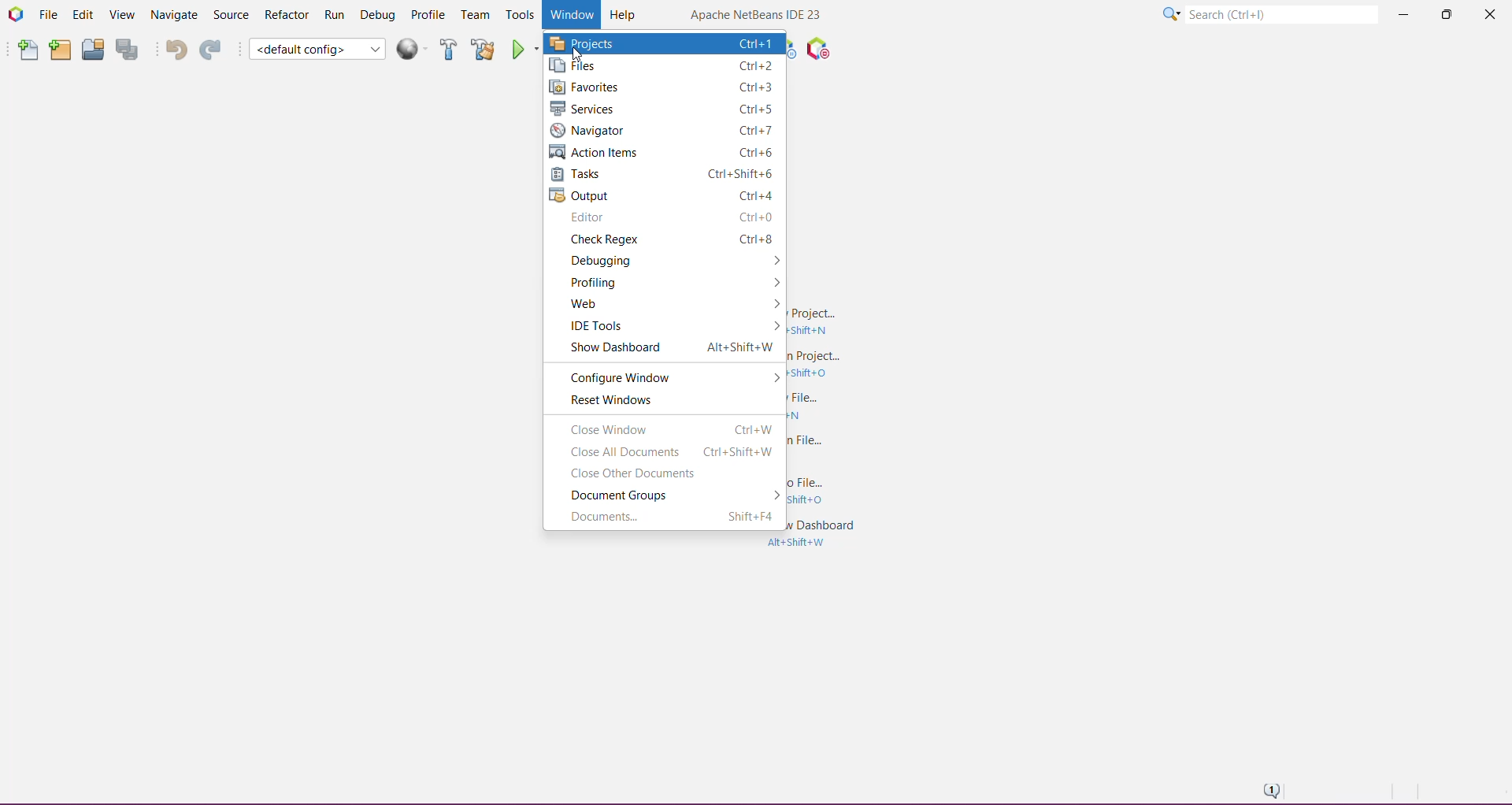 The image size is (1512, 805). Describe the element at coordinates (773, 495) in the screenshot. I see `More Options` at that location.